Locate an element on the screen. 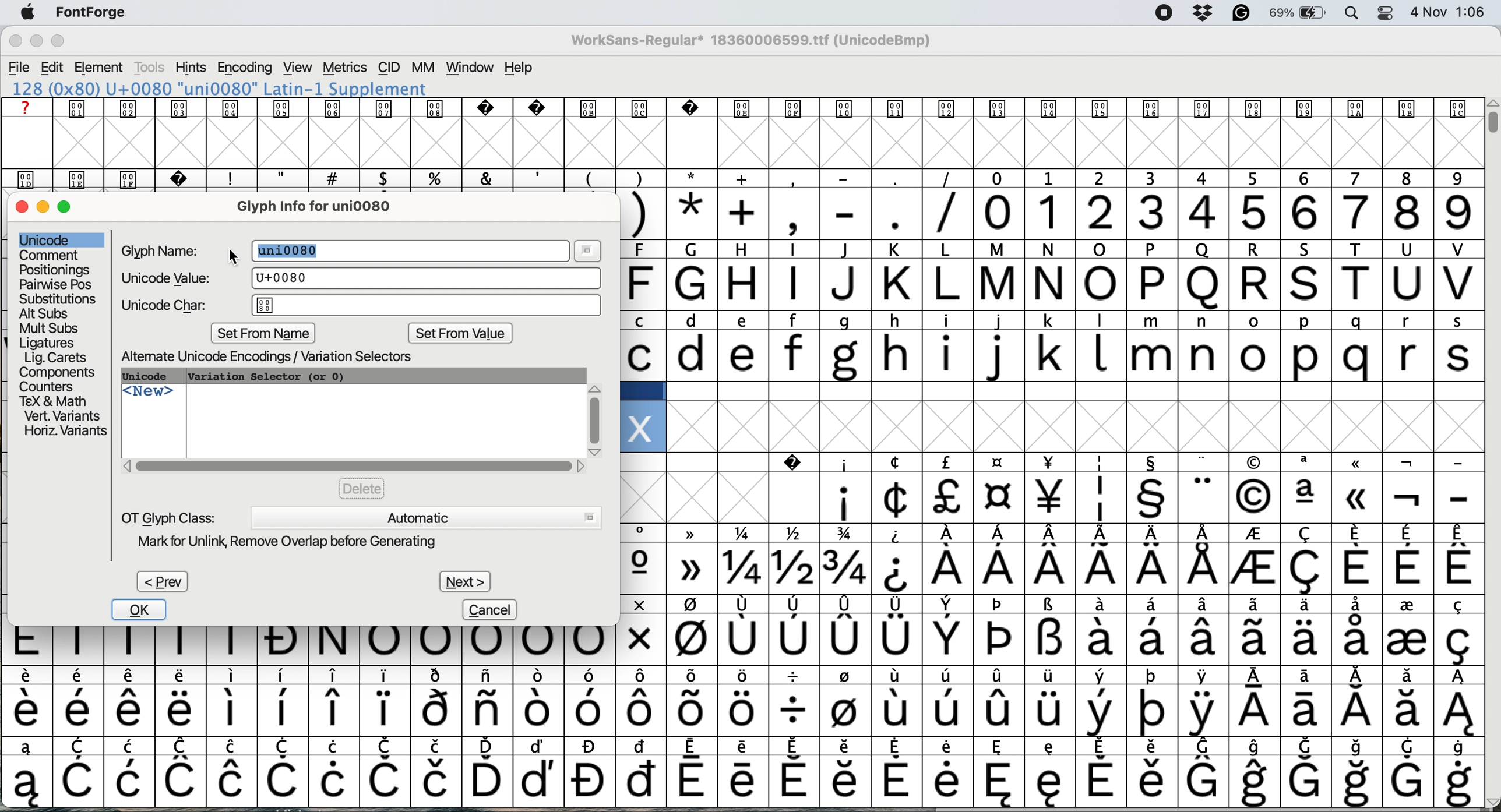 The height and width of the screenshot is (812, 1501). cursor is located at coordinates (232, 255).